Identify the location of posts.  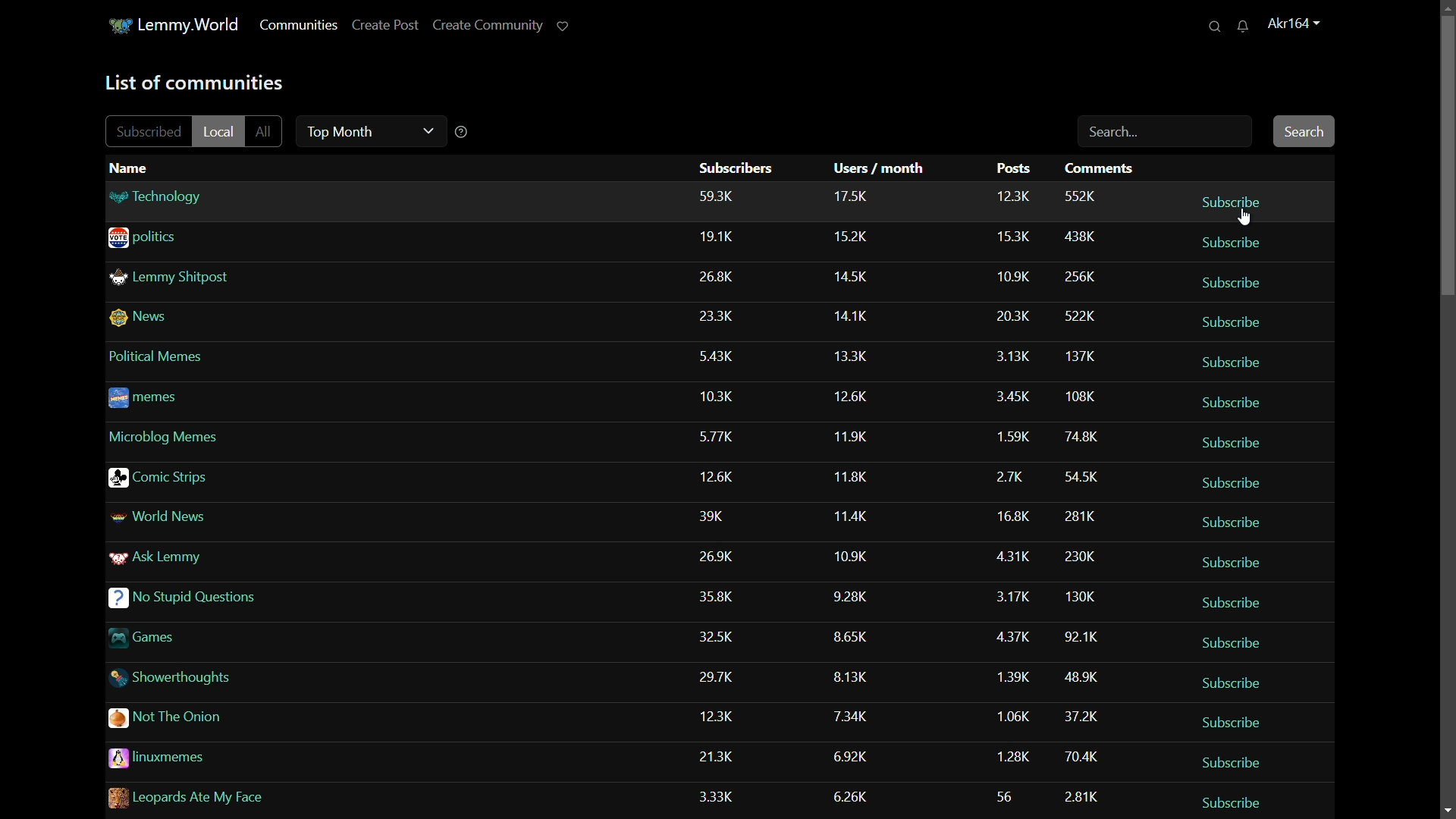
(1016, 554).